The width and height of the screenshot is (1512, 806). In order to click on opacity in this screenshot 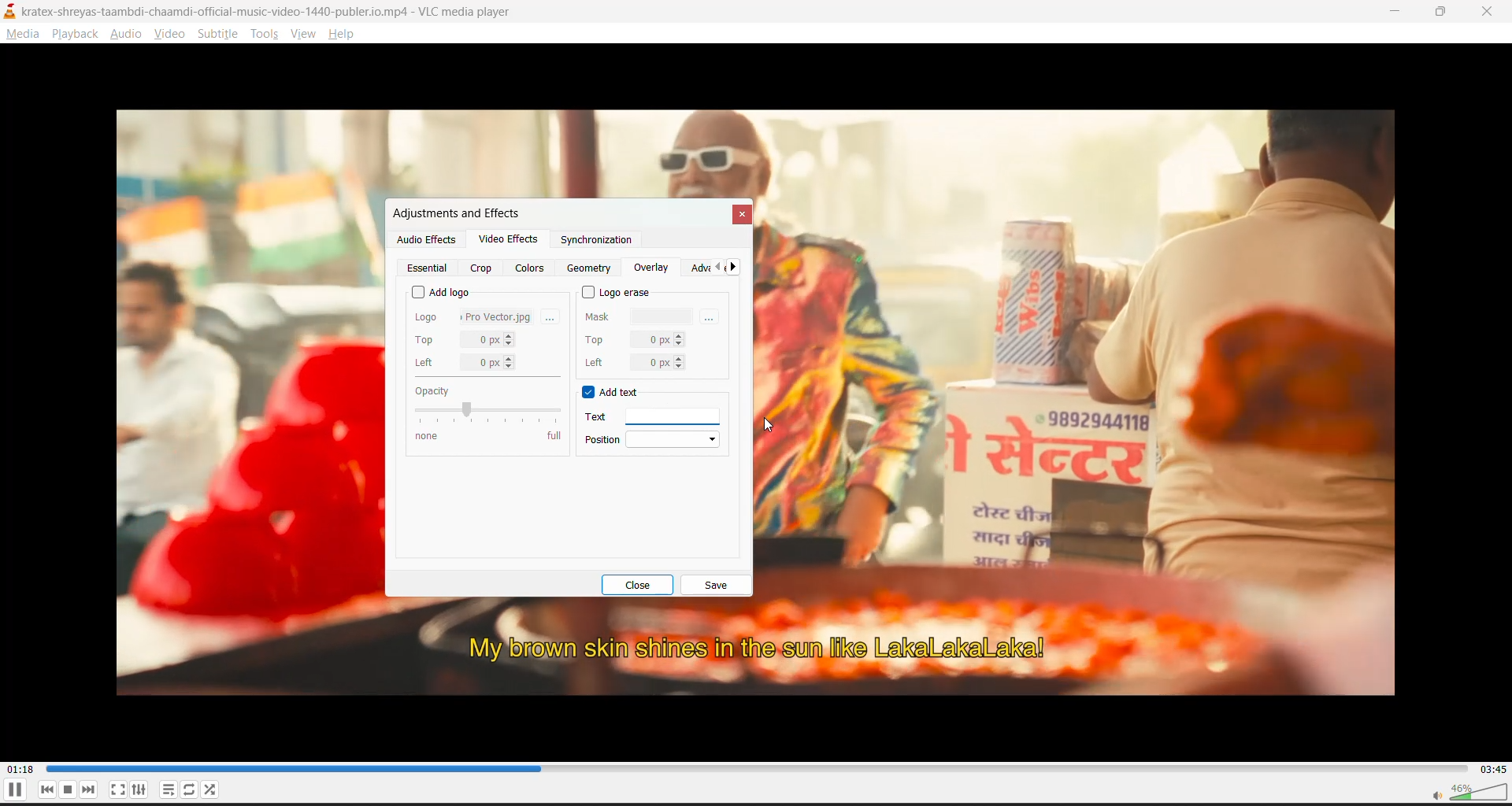, I will do `click(486, 412)`.